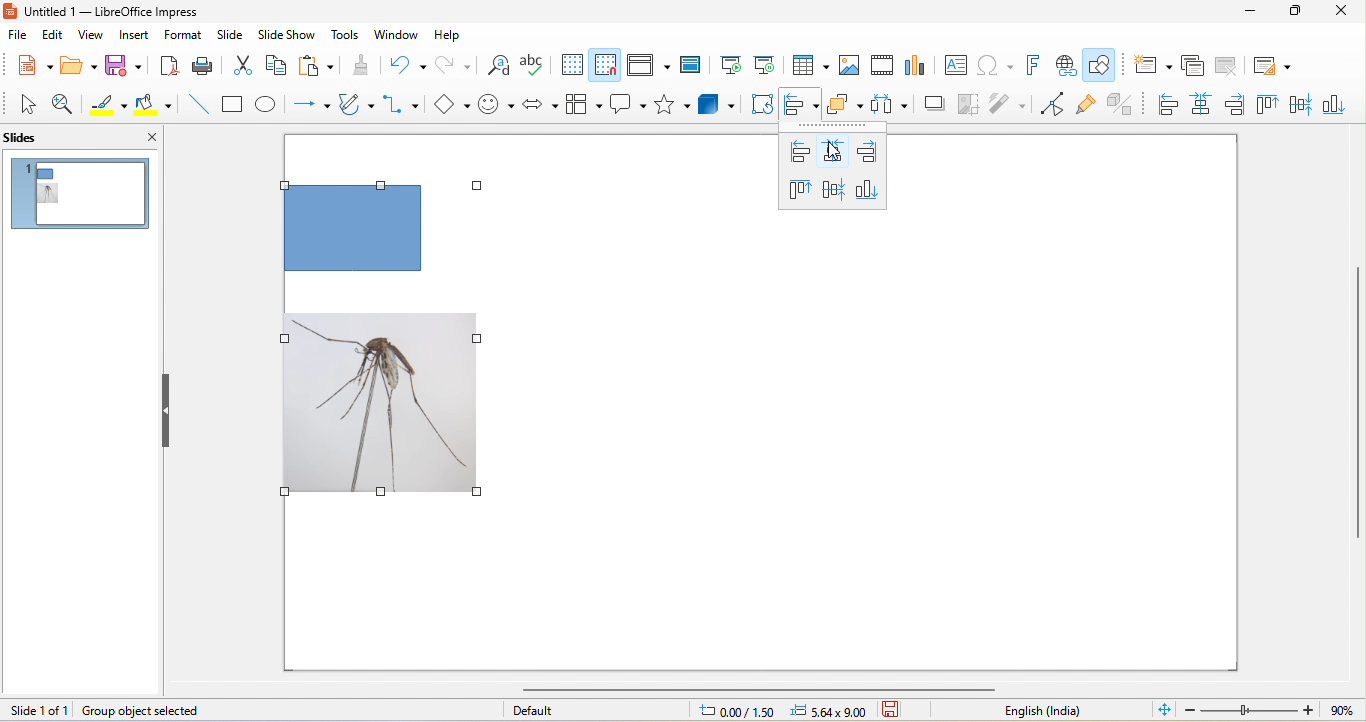 The image size is (1366, 722). Describe the element at coordinates (832, 189) in the screenshot. I see `center` at that location.